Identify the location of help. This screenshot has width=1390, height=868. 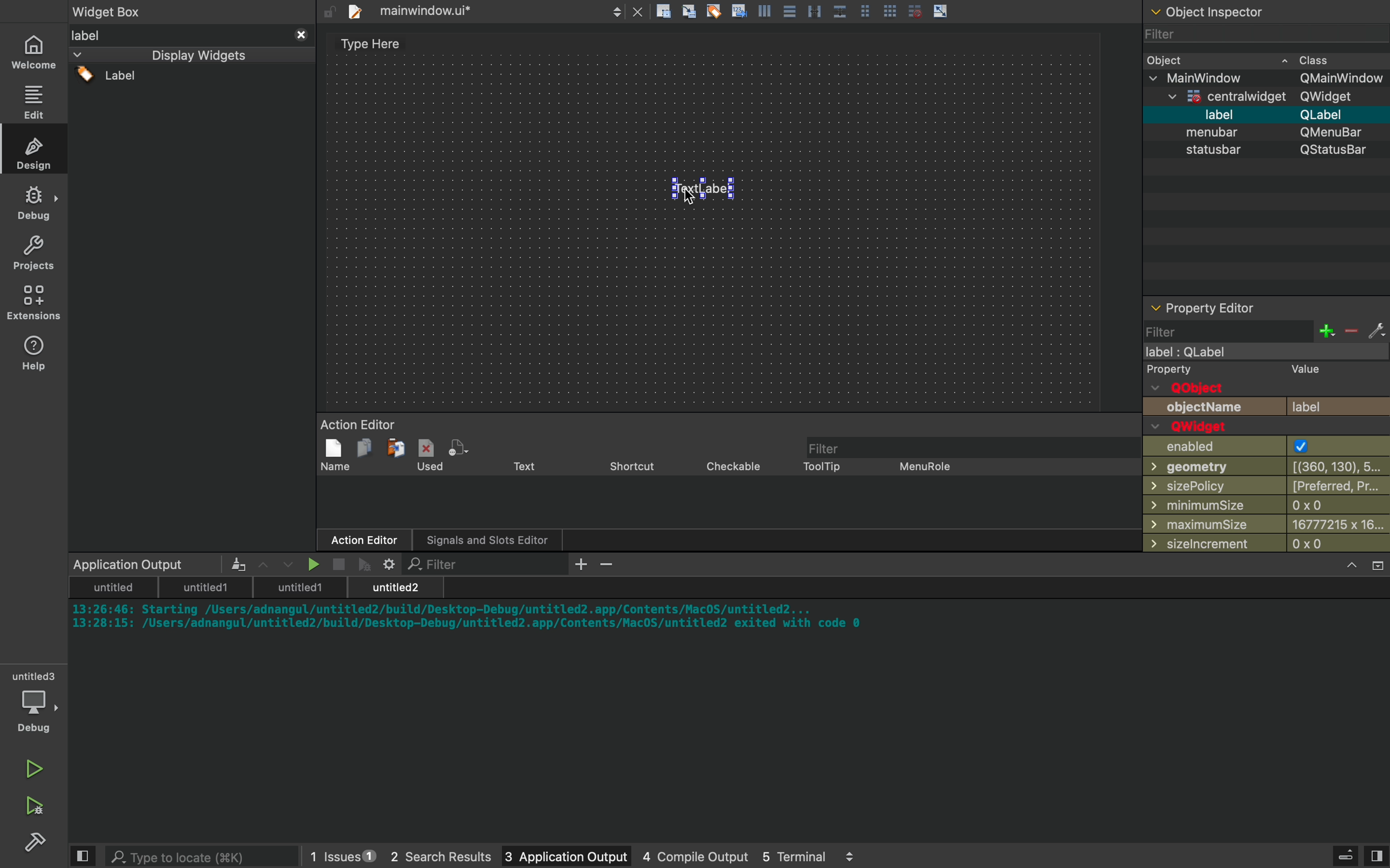
(34, 352).